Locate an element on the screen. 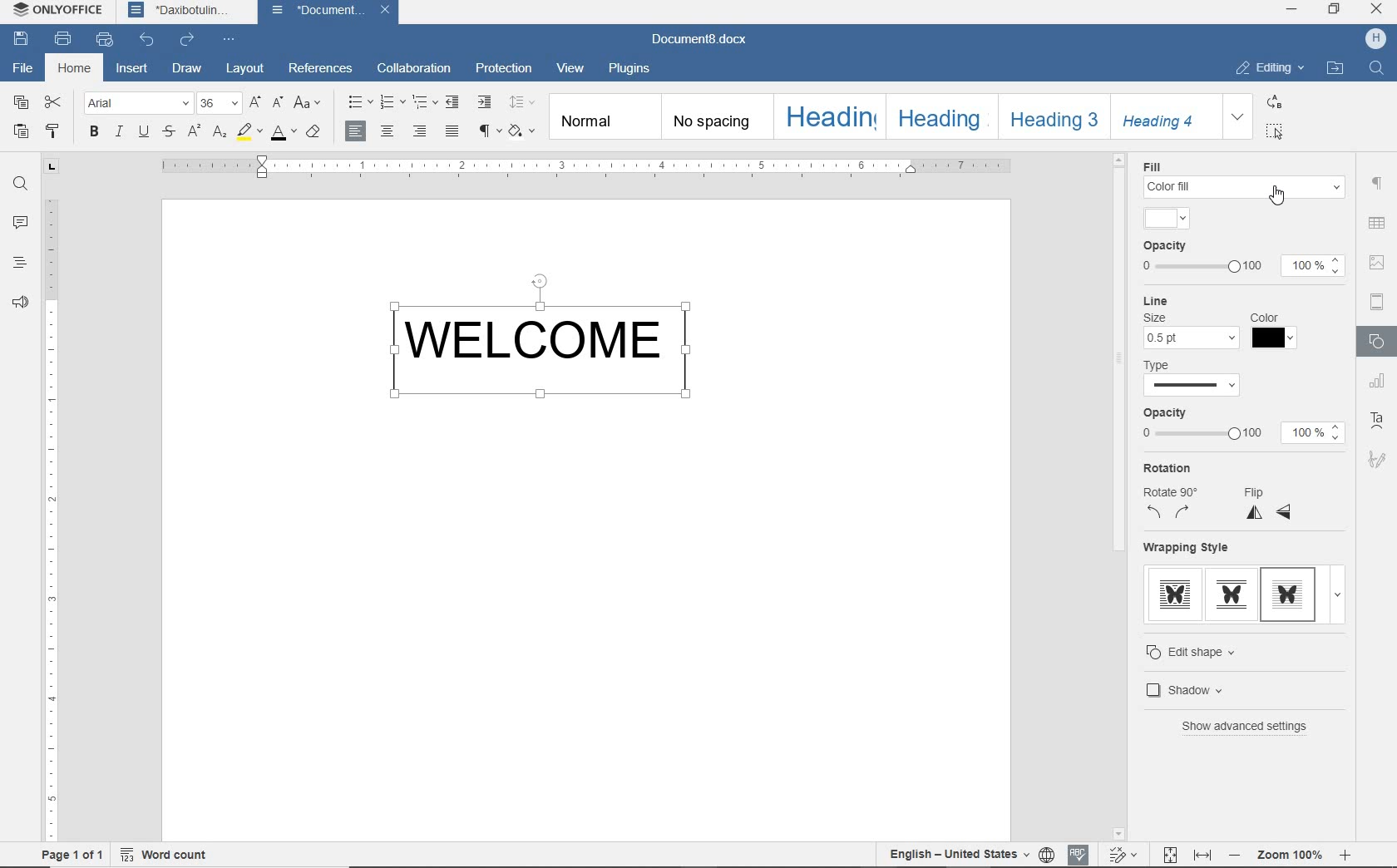 The image size is (1397, 868). BOLD is located at coordinates (94, 131).